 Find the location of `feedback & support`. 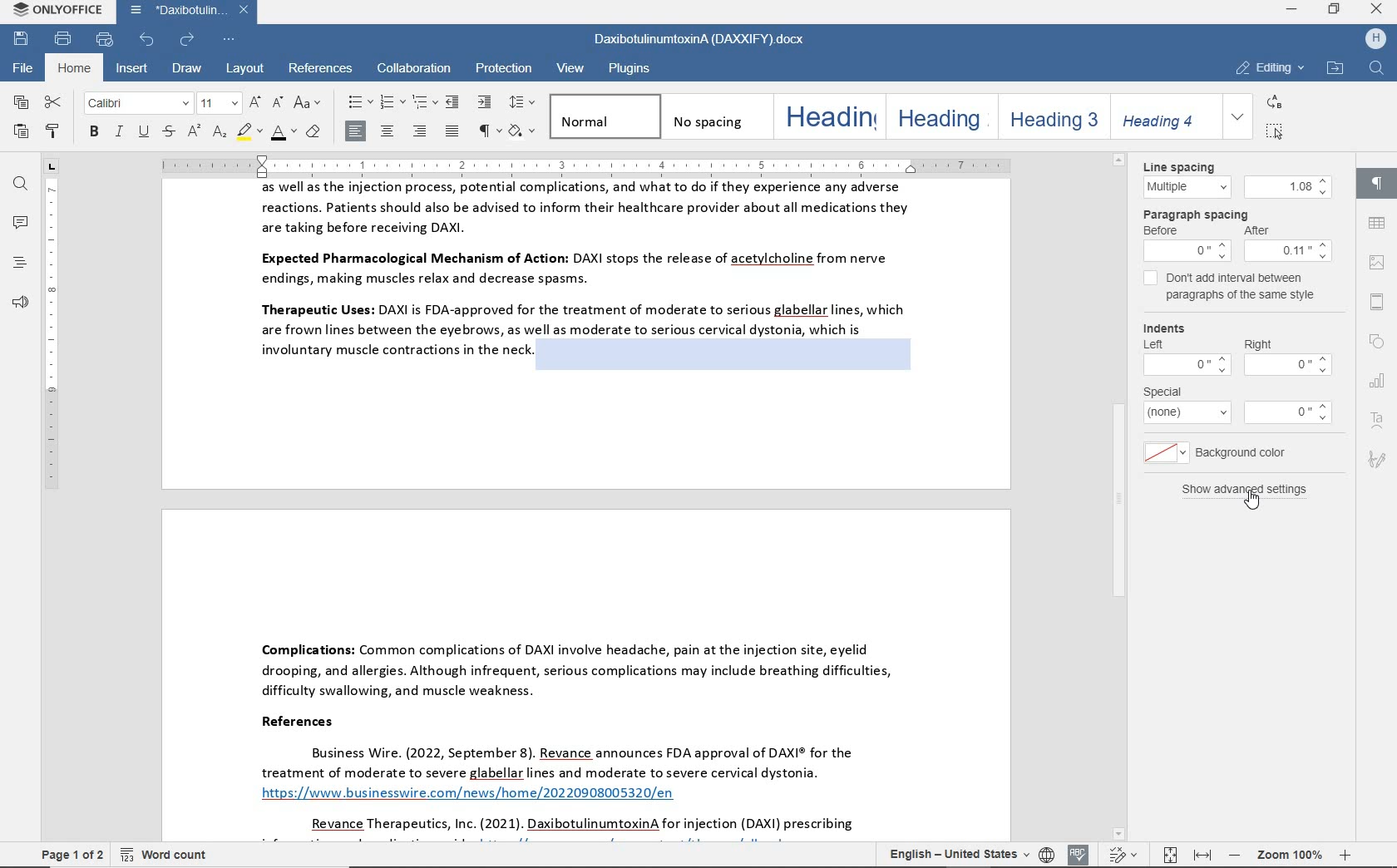

feedback & support is located at coordinates (17, 303).